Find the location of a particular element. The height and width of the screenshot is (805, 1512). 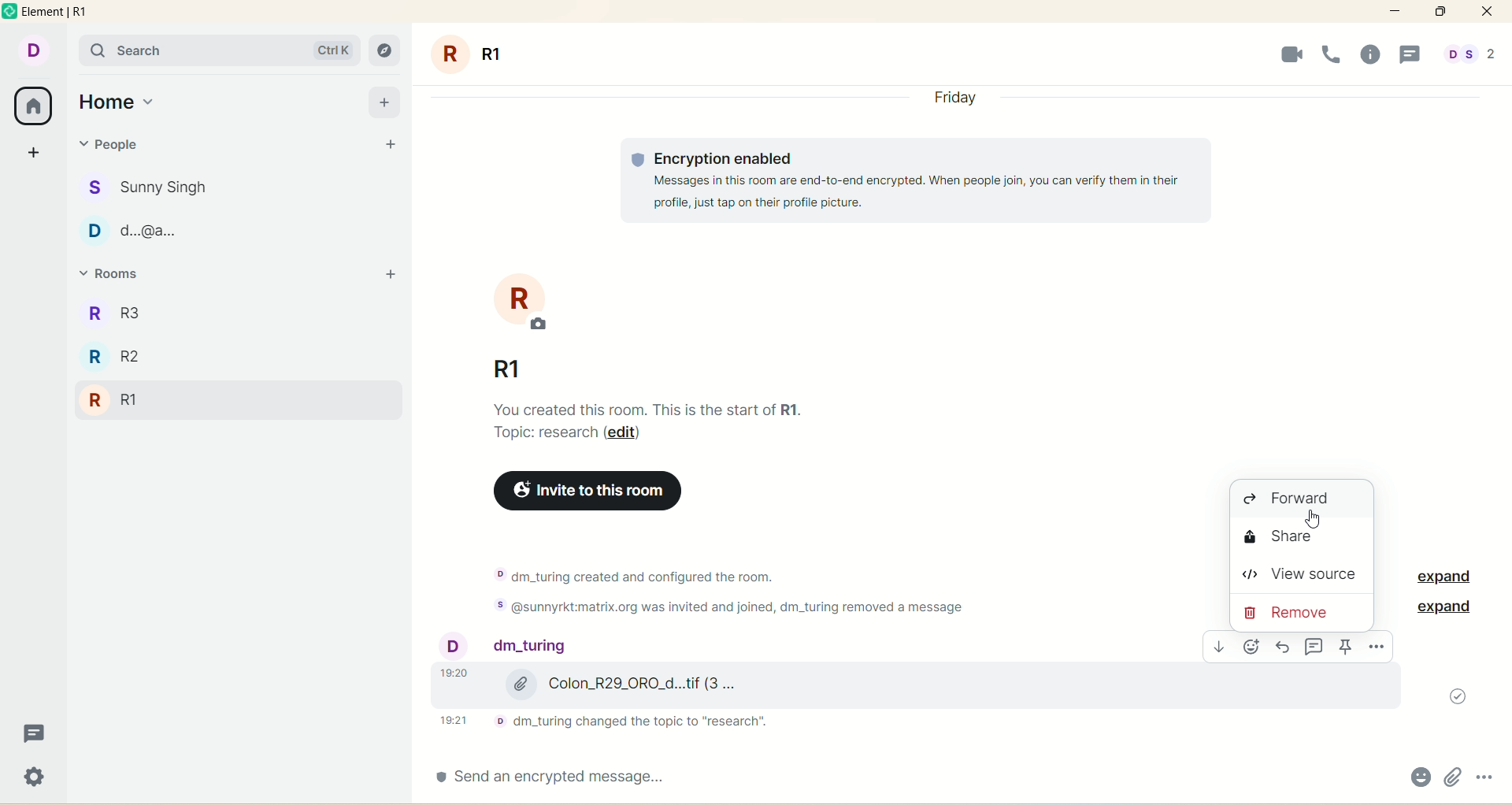

room is located at coordinates (532, 304).